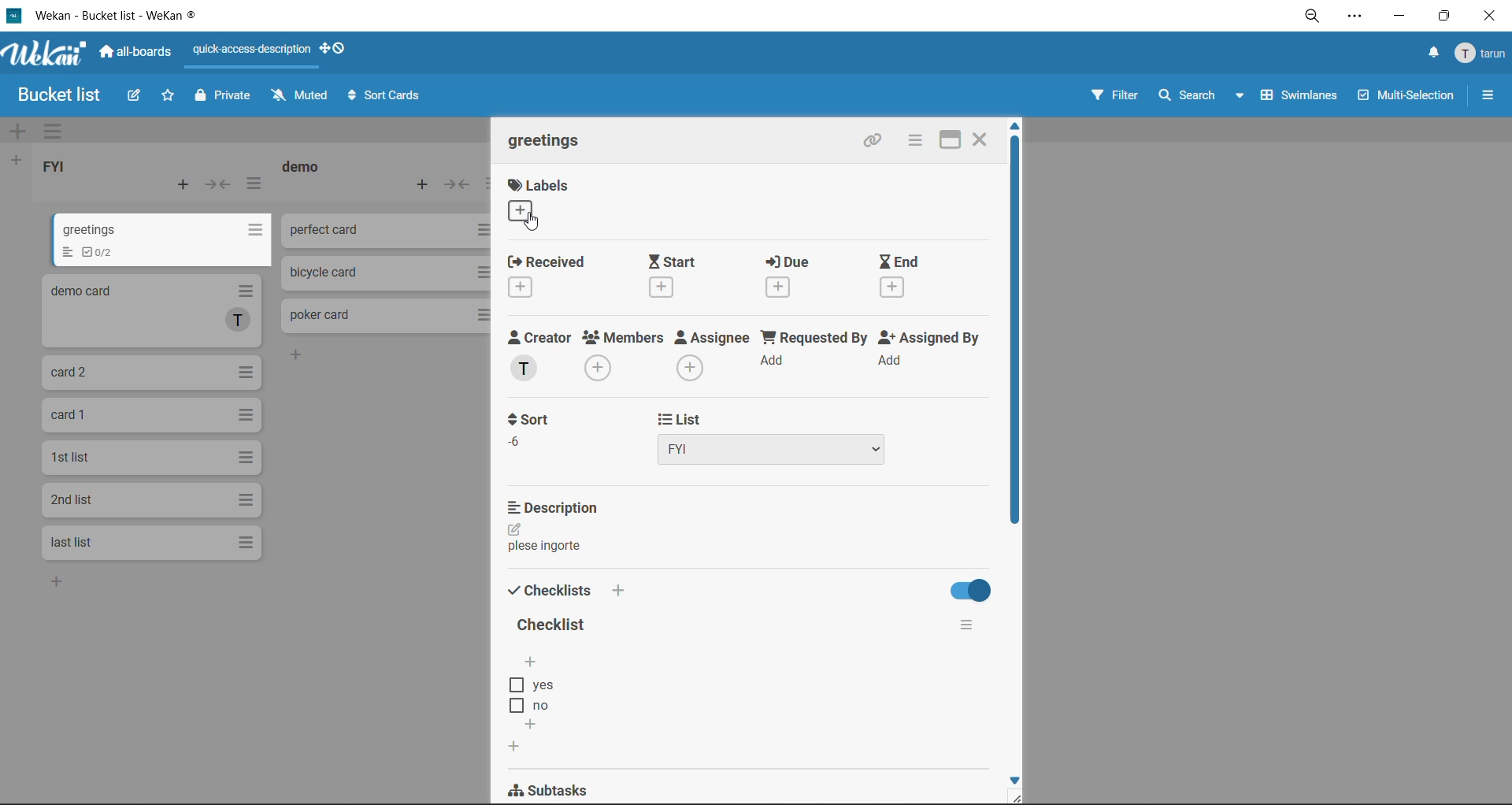 Image resolution: width=1512 pixels, height=805 pixels. Describe the element at coordinates (873, 142) in the screenshot. I see `copy link` at that location.